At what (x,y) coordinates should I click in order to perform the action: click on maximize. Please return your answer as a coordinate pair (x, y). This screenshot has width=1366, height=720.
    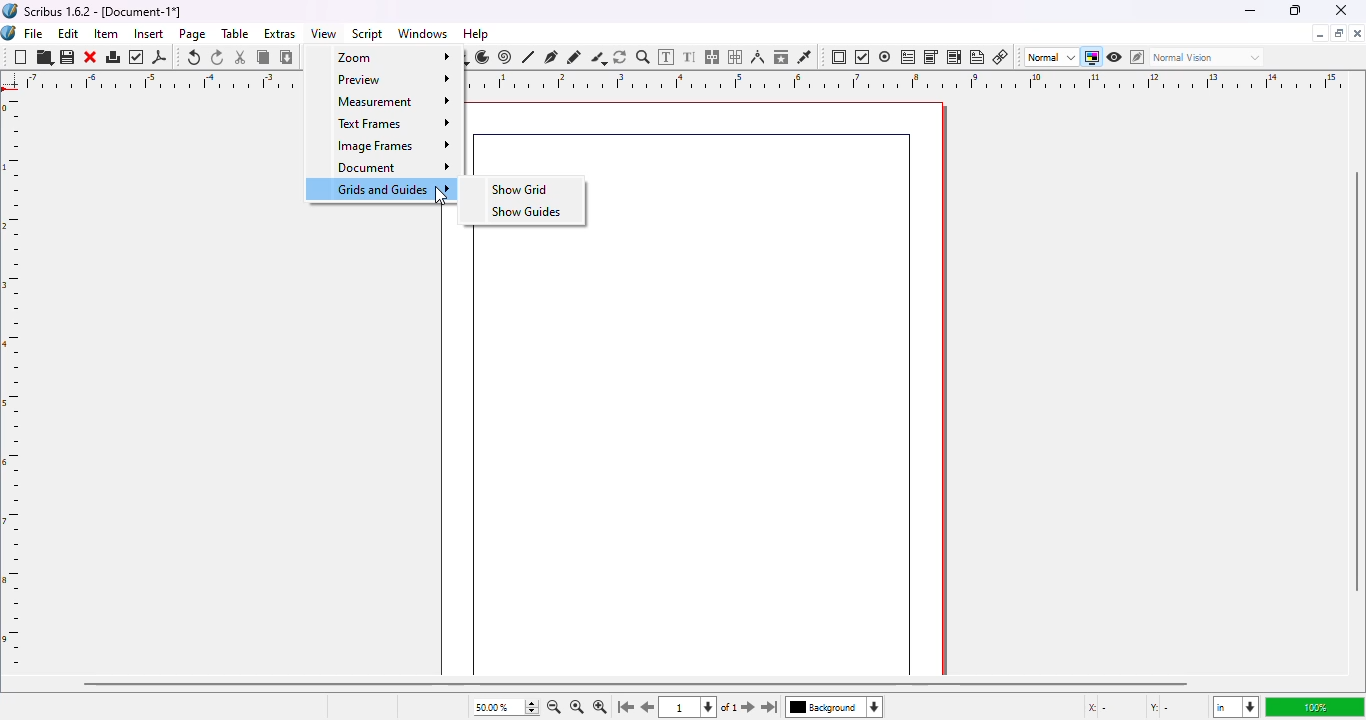
    Looking at the image, I should click on (1339, 33).